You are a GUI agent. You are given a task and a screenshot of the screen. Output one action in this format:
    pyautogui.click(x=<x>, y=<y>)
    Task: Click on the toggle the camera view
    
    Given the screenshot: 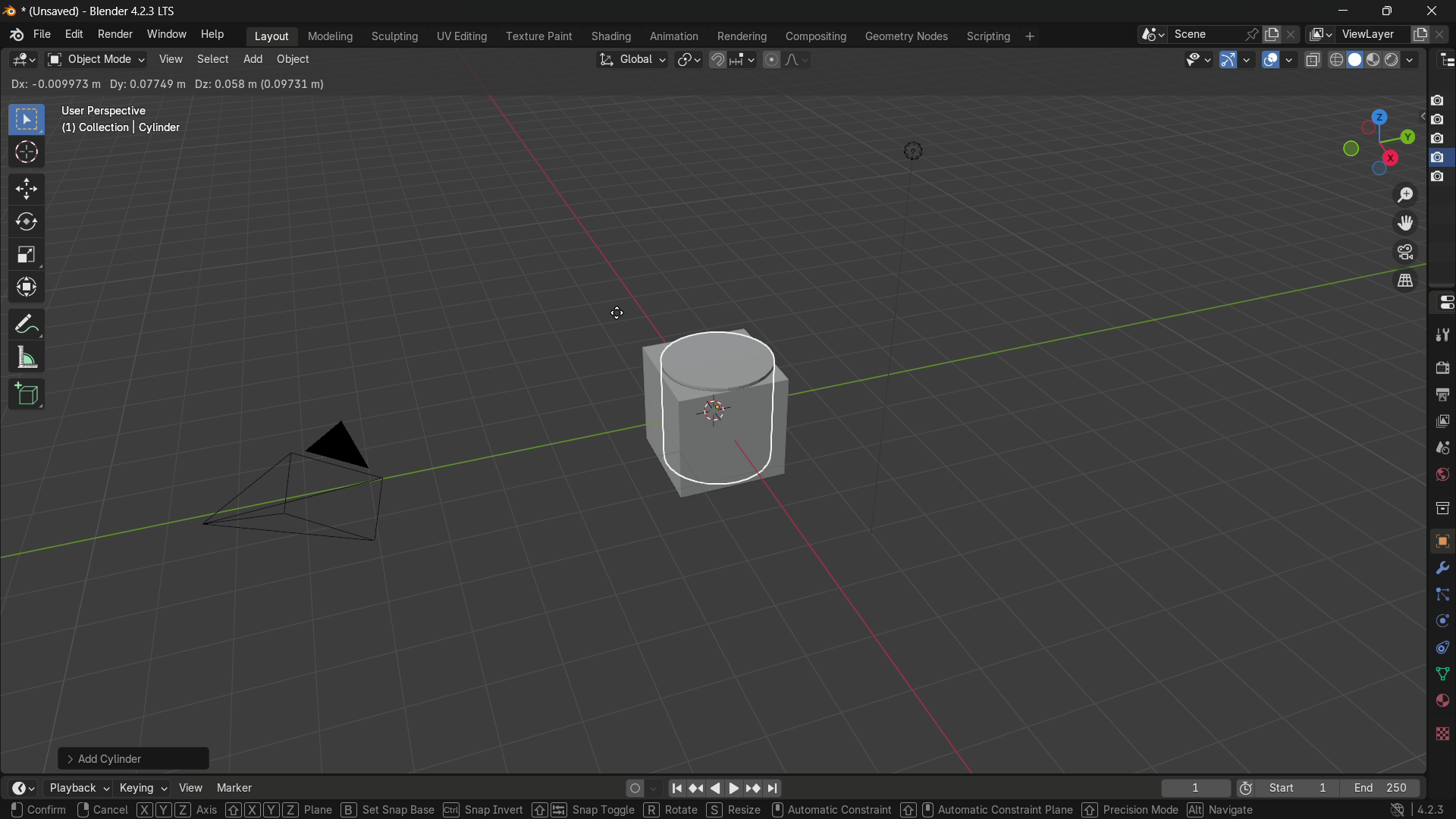 What is the action you would take?
    pyautogui.click(x=1405, y=252)
    